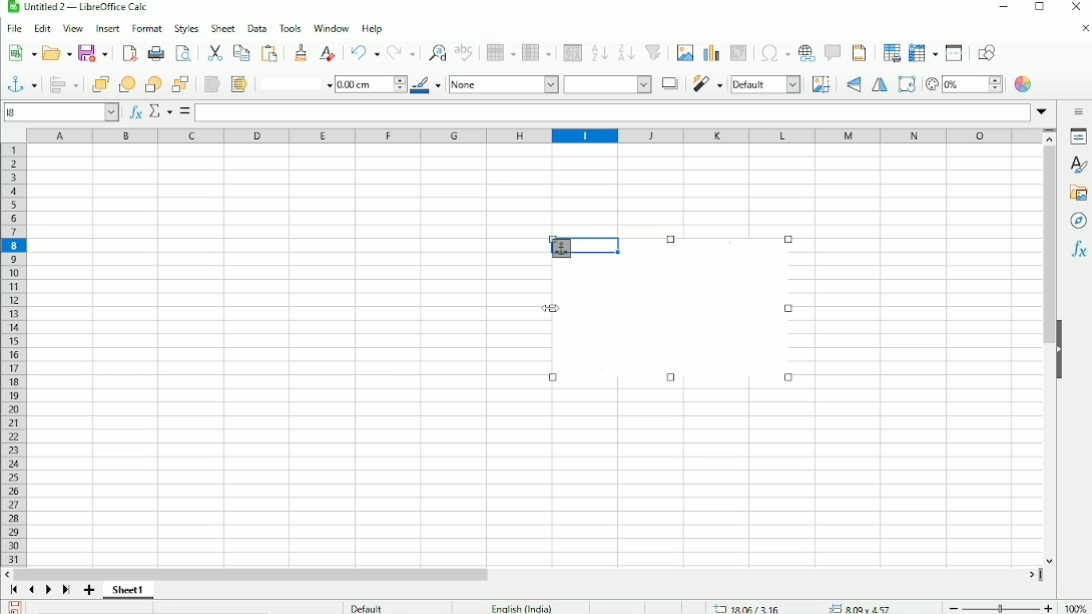  Describe the element at coordinates (153, 84) in the screenshot. I see `back one` at that location.